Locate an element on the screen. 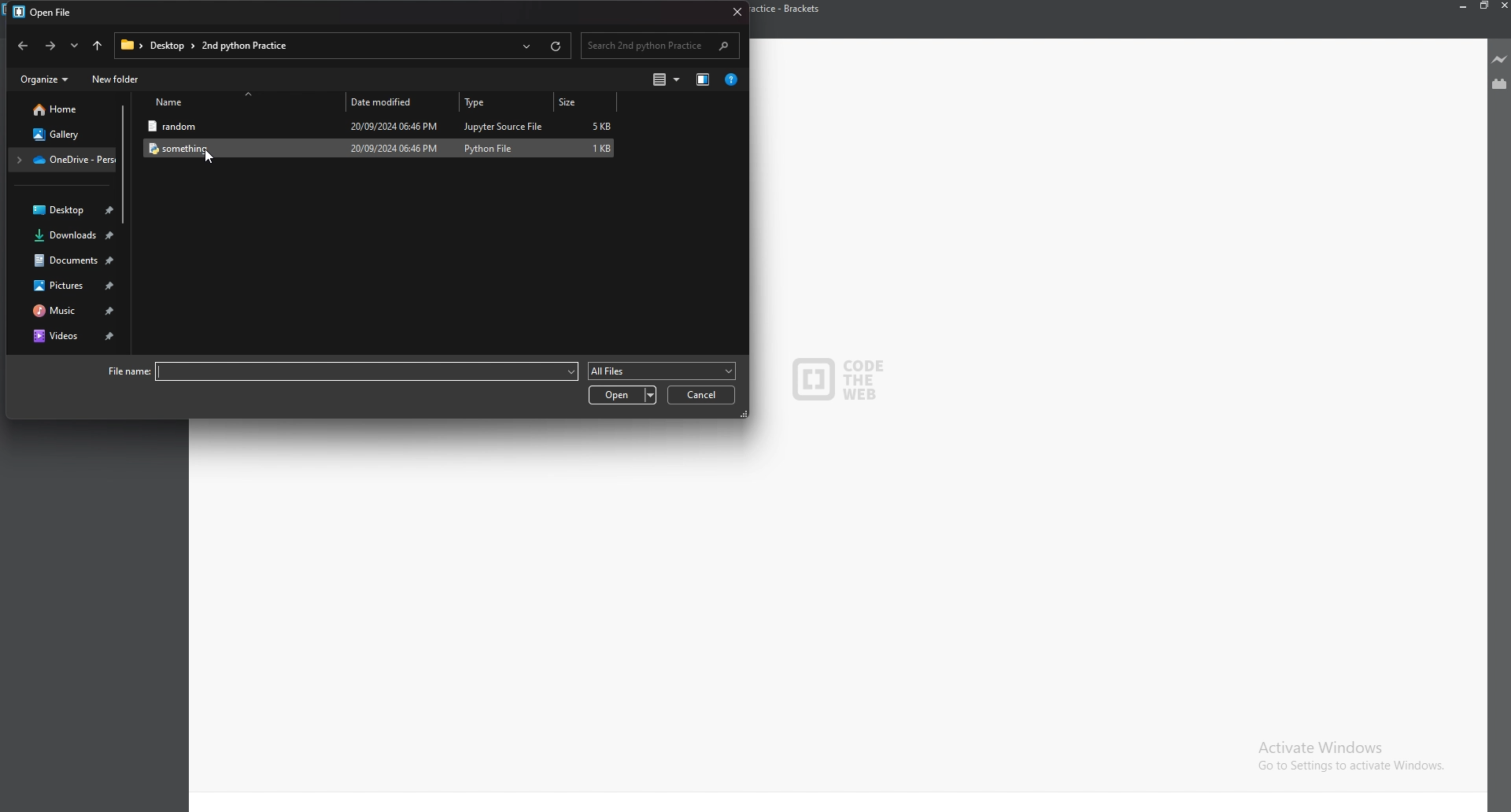 This screenshot has height=812, width=1511. new folder is located at coordinates (116, 80).